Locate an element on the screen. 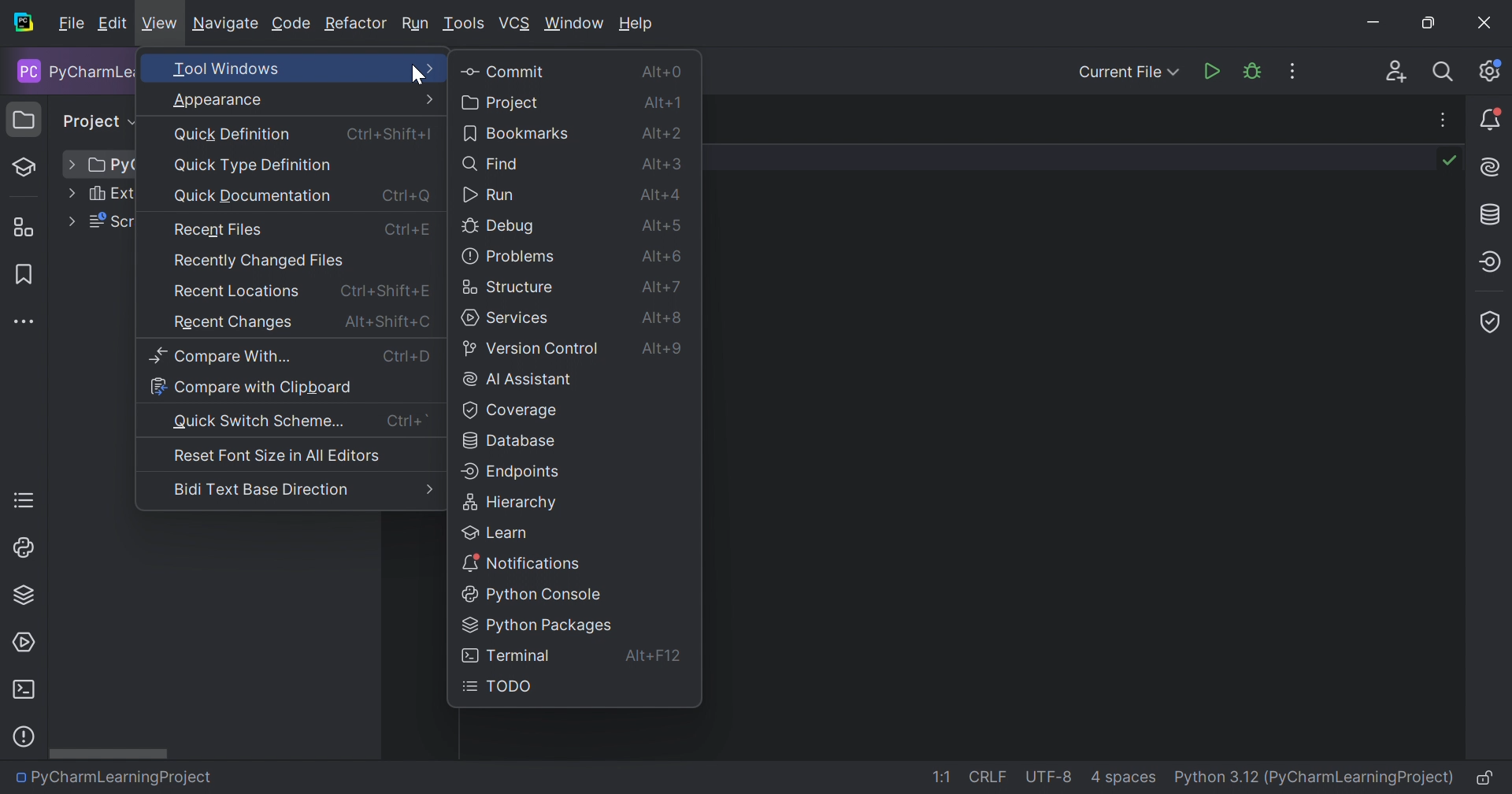 This screenshot has width=1512, height=794. Compare with Clipboard is located at coordinates (252, 386).